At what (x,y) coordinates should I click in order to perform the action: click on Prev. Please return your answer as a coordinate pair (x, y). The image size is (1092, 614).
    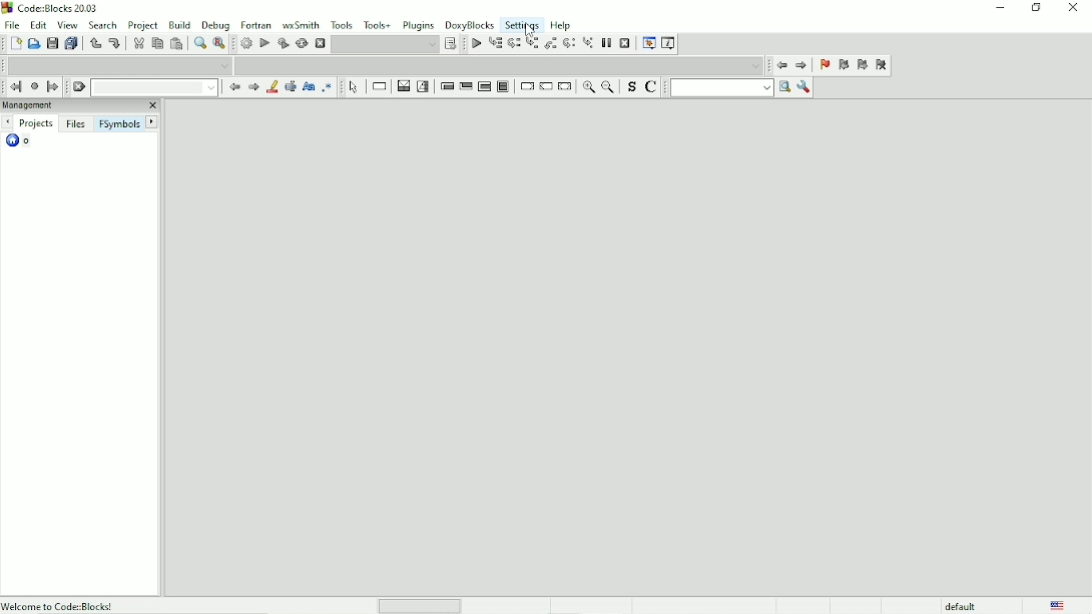
    Looking at the image, I should click on (235, 88).